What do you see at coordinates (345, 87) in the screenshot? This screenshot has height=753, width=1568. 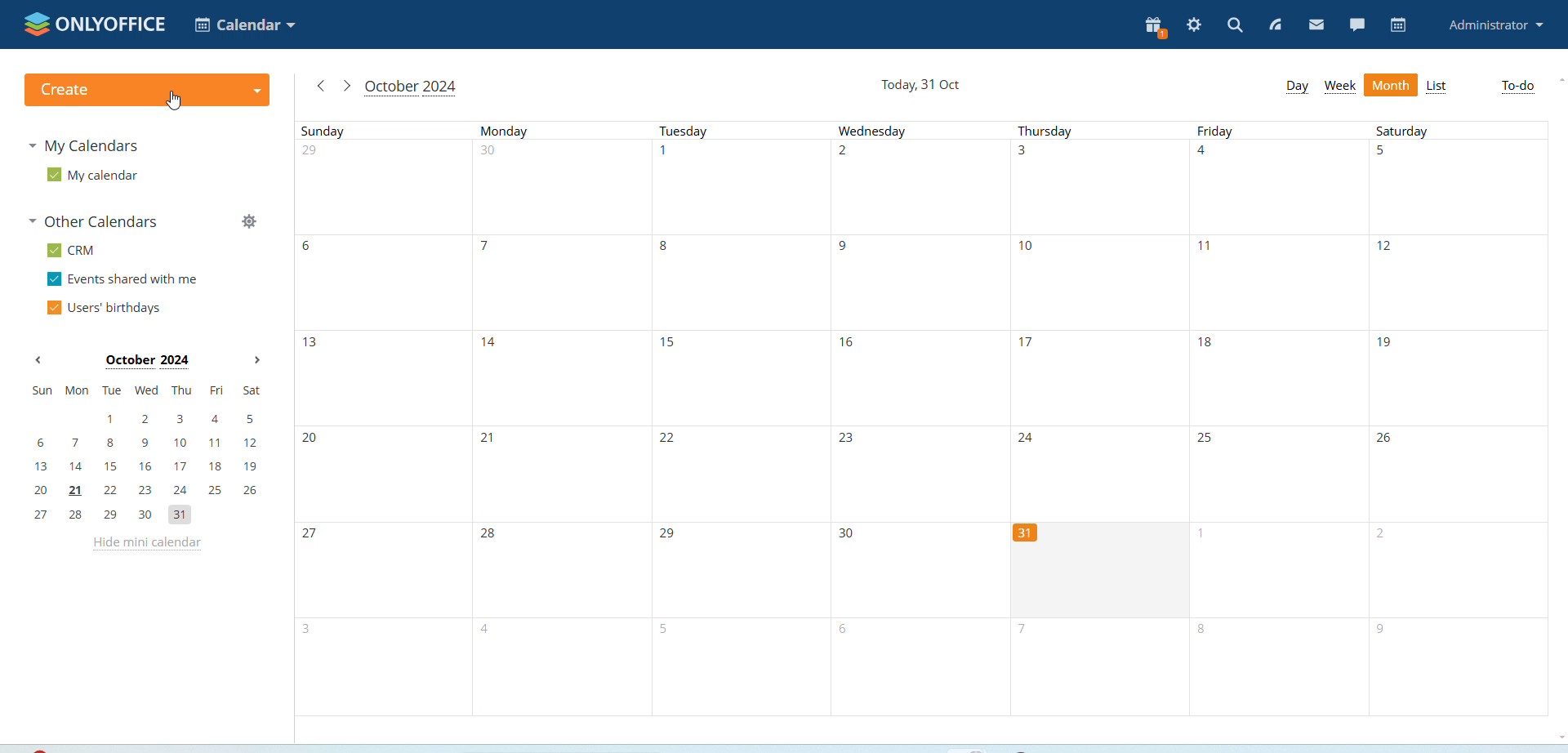 I see `go to next month` at bounding box center [345, 87].